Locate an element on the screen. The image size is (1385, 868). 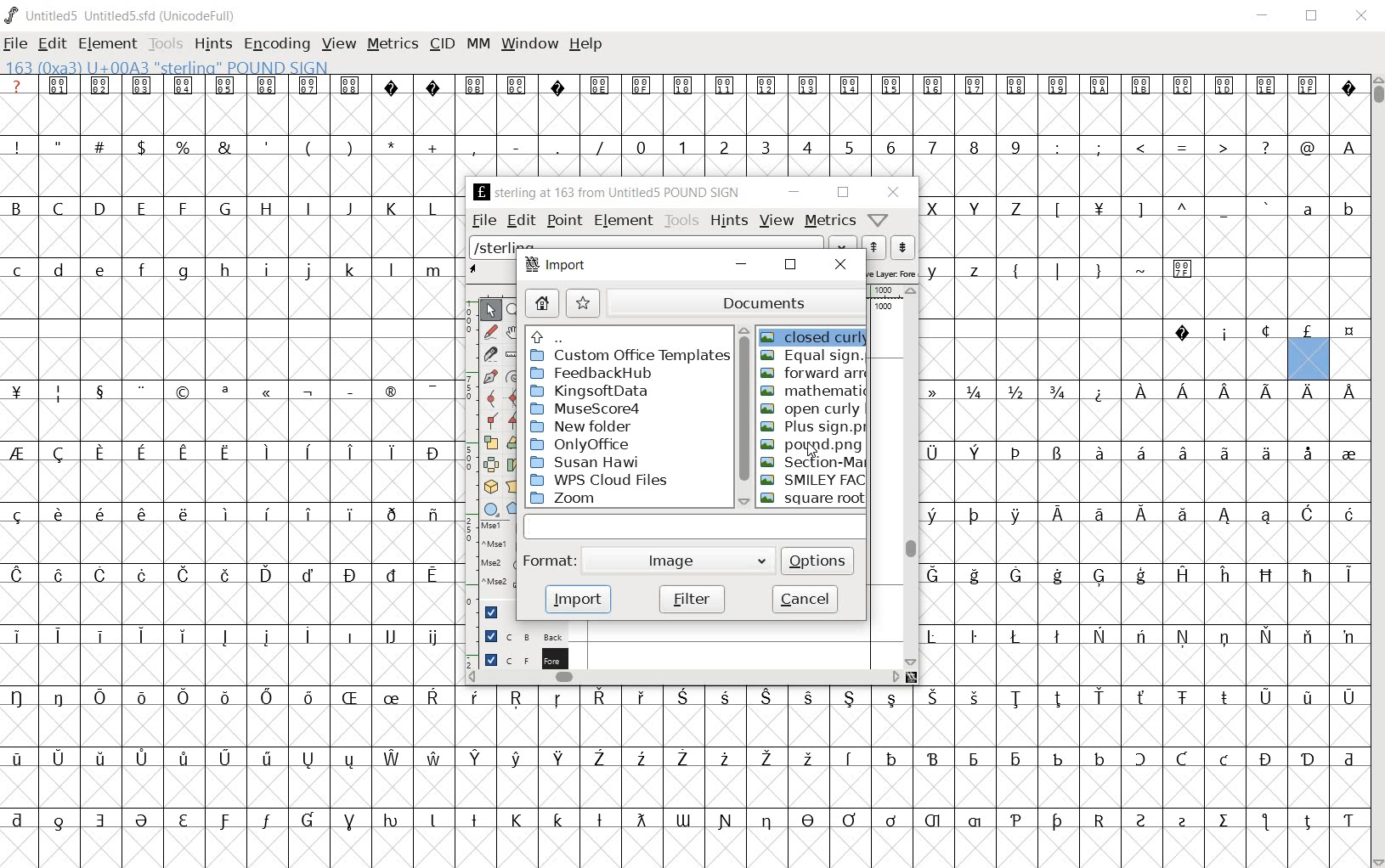
Symbol is located at coordinates (893, 87).